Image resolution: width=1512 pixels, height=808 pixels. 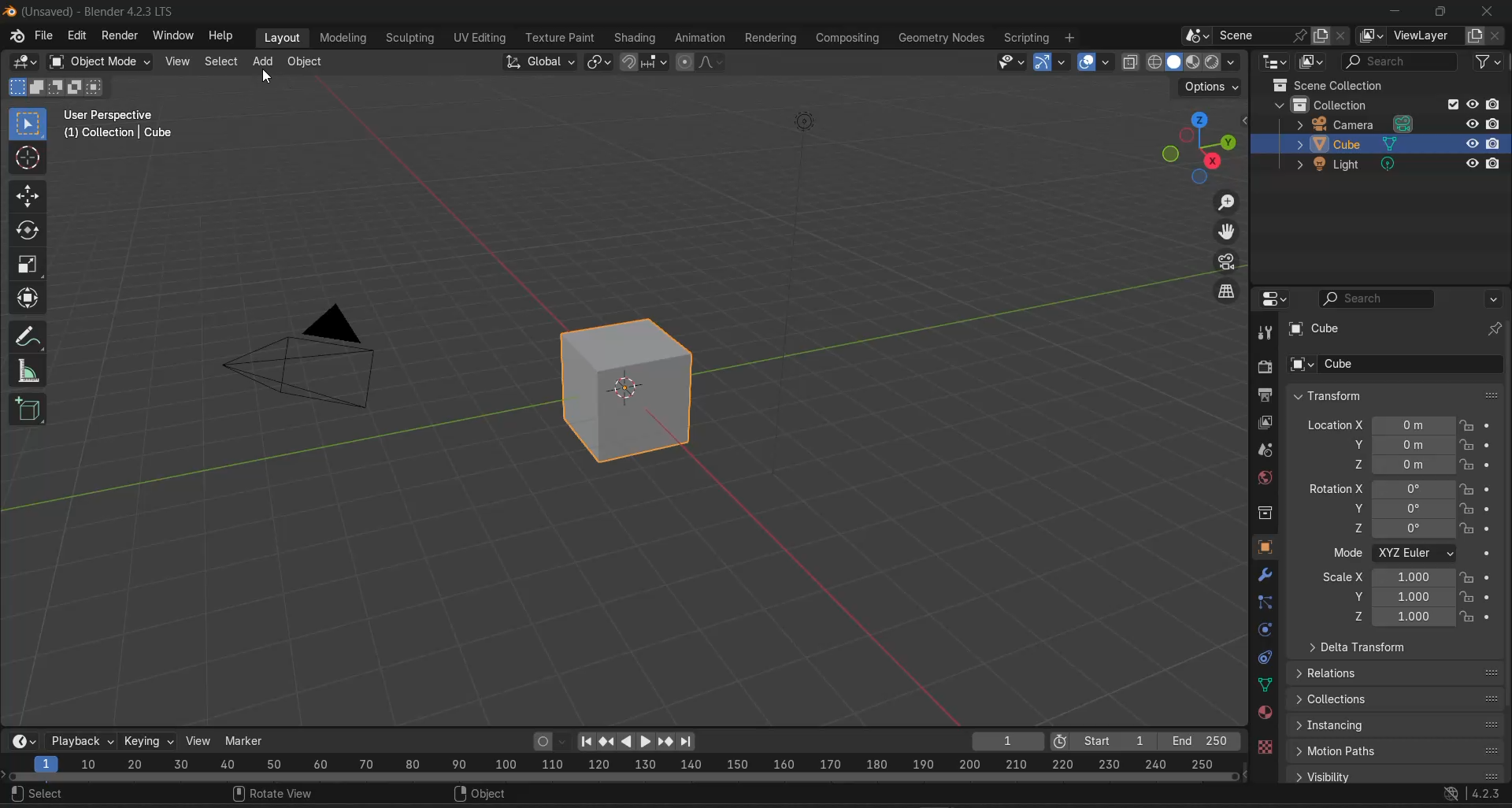 I want to click on final frame, so click(x=1199, y=738).